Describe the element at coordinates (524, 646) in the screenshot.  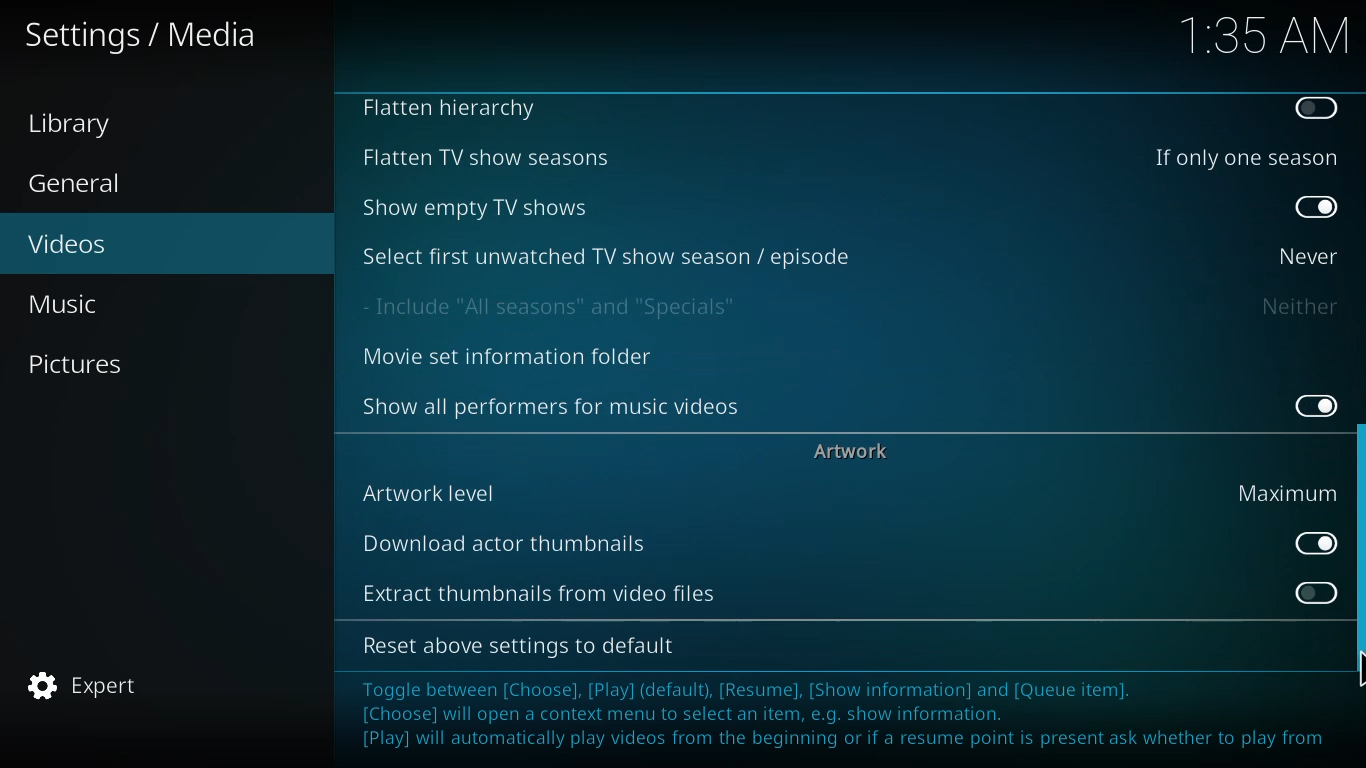
I see `reset above settings to default` at that location.